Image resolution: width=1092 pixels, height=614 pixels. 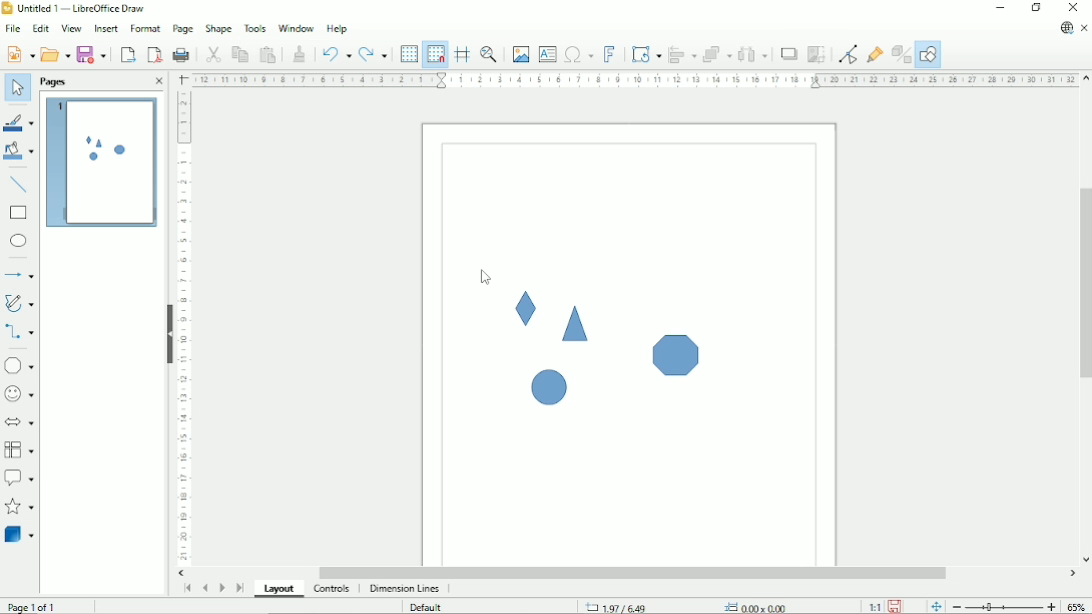 What do you see at coordinates (520, 53) in the screenshot?
I see `Insert image` at bounding box center [520, 53].